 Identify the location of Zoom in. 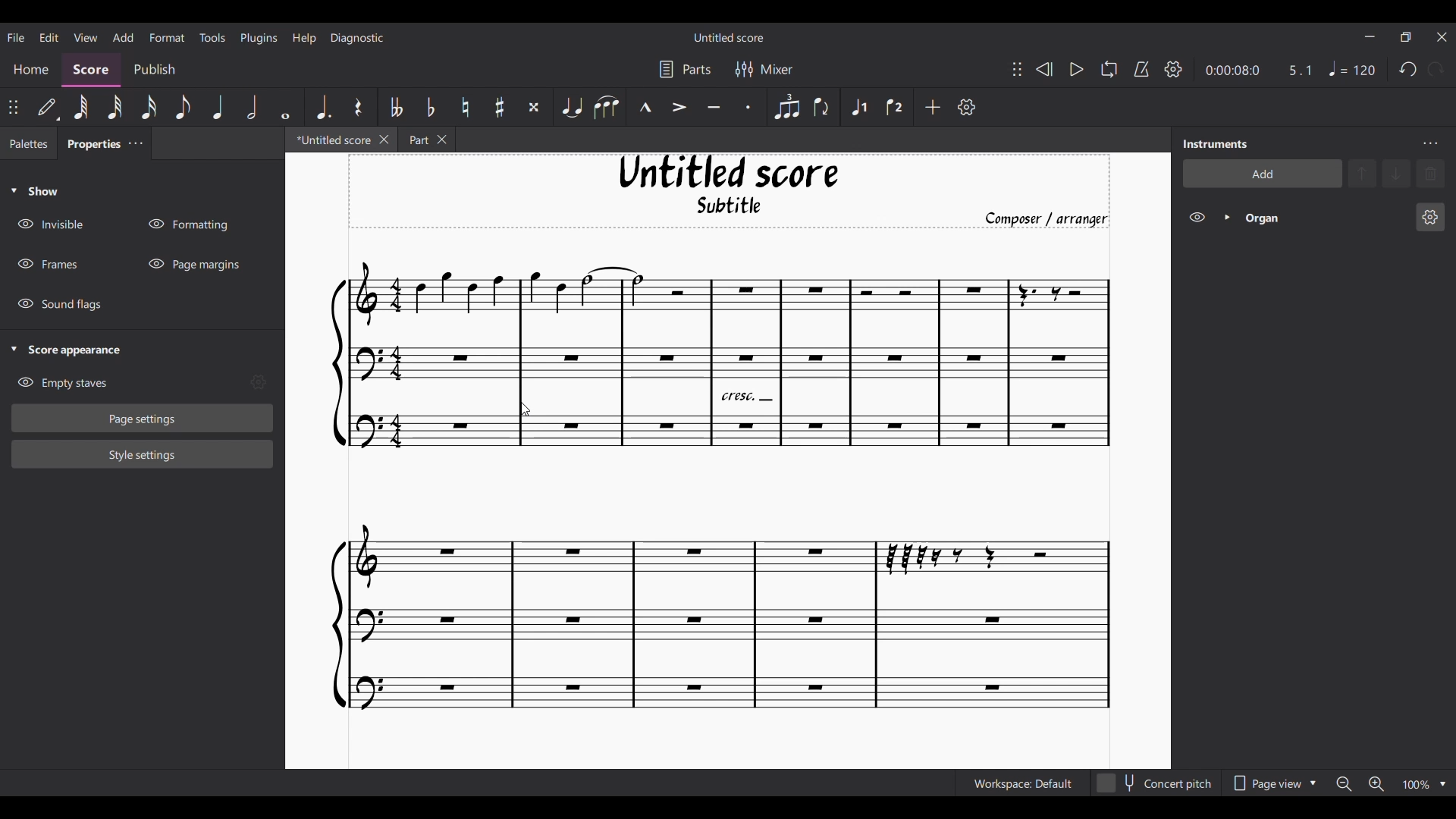
(1376, 785).